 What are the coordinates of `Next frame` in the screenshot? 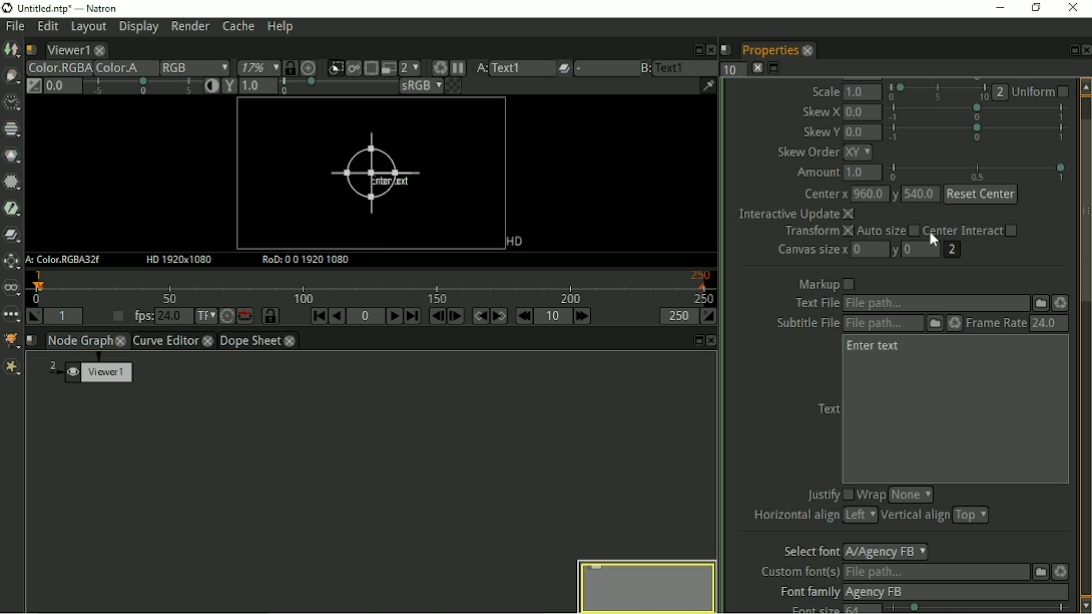 It's located at (455, 316).